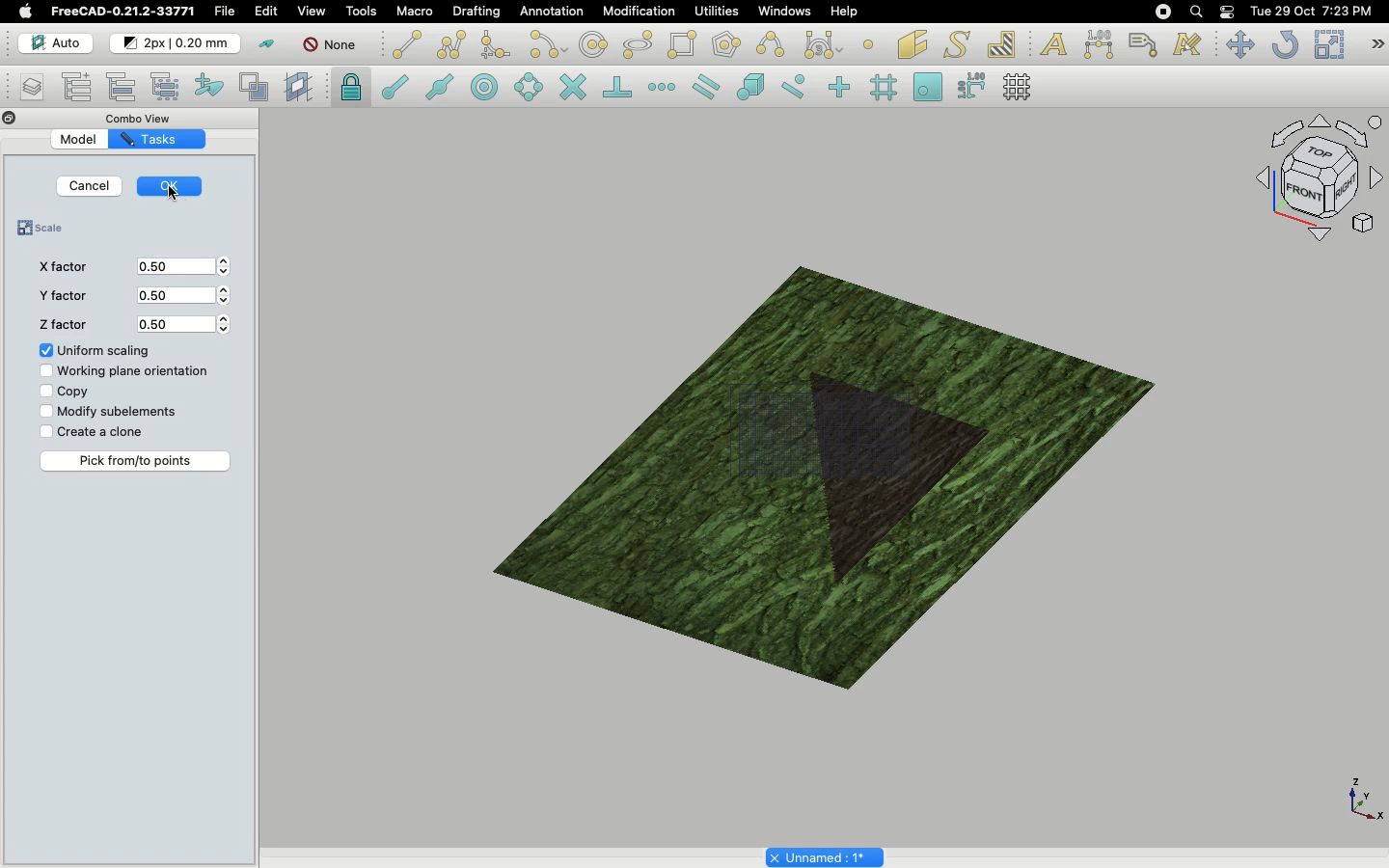 The height and width of the screenshot is (868, 1389). Describe the element at coordinates (451, 44) in the screenshot. I see `Polyline` at that location.